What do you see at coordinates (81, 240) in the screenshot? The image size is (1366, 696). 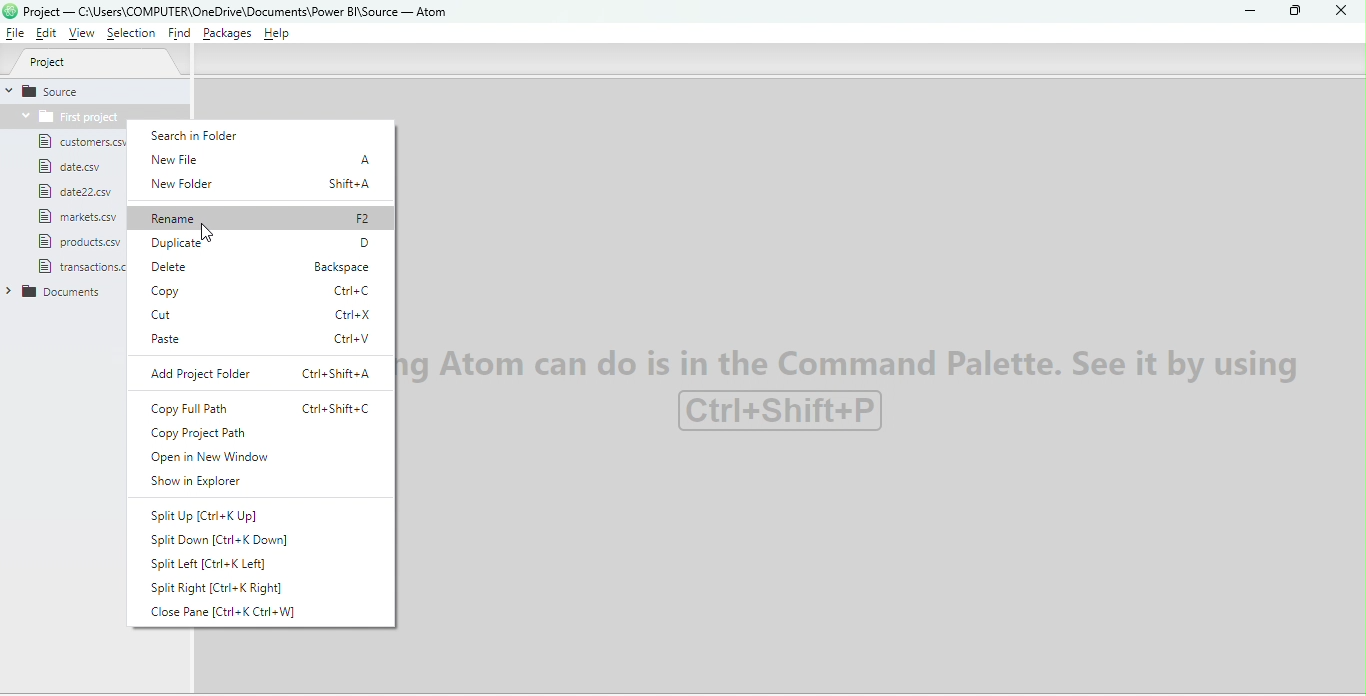 I see `File` at bounding box center [81, 240].